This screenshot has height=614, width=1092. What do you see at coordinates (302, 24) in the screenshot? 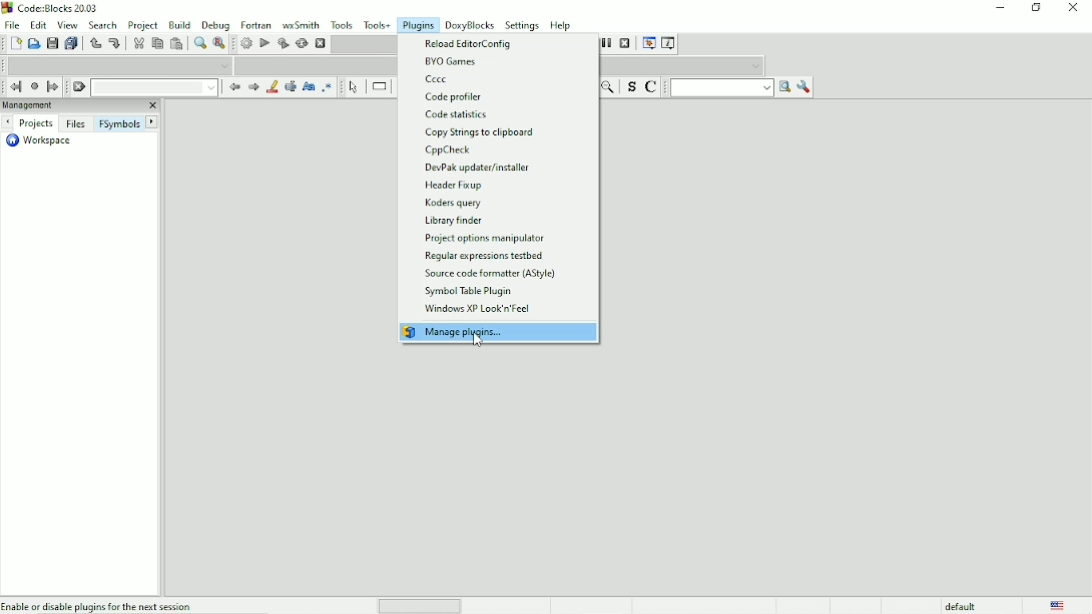
I see `wxSmith` at bounding box center [302, 24].